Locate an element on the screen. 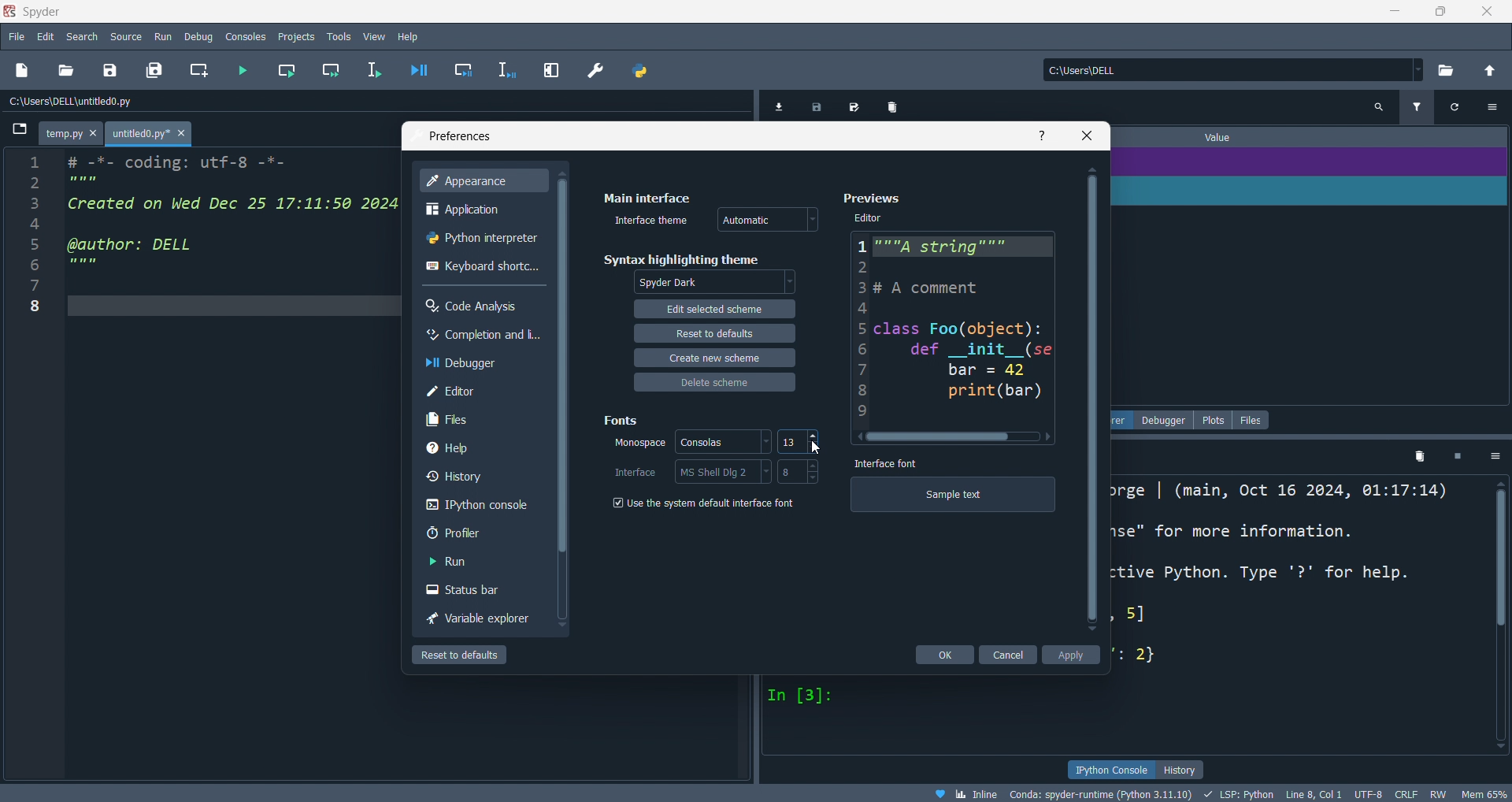 This screenshot has width=1512, height=802. Interface font is located at coordinates (894, 465).